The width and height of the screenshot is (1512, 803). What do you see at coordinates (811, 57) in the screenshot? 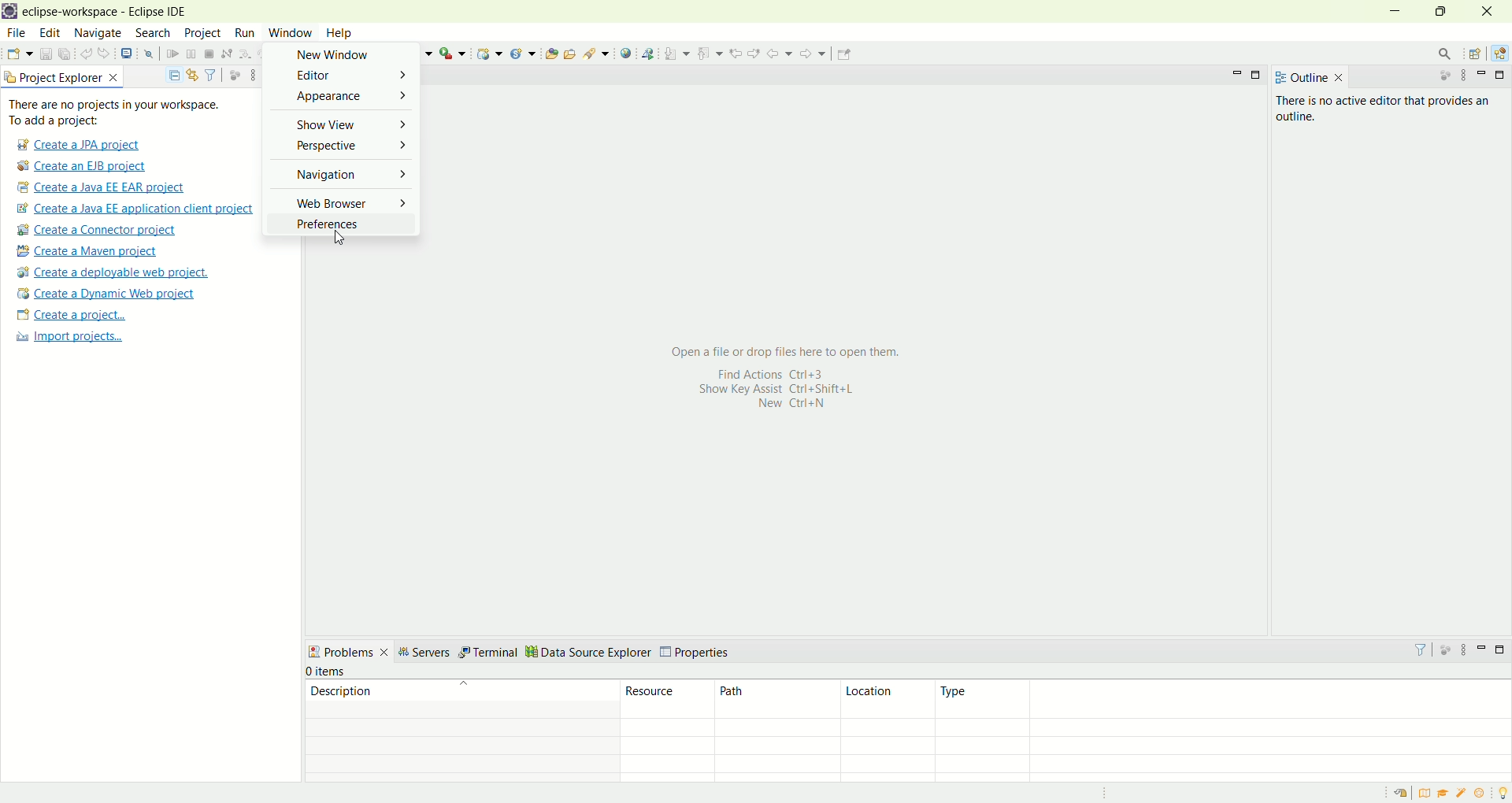
I see `forward` at bounding box center [811, 57].